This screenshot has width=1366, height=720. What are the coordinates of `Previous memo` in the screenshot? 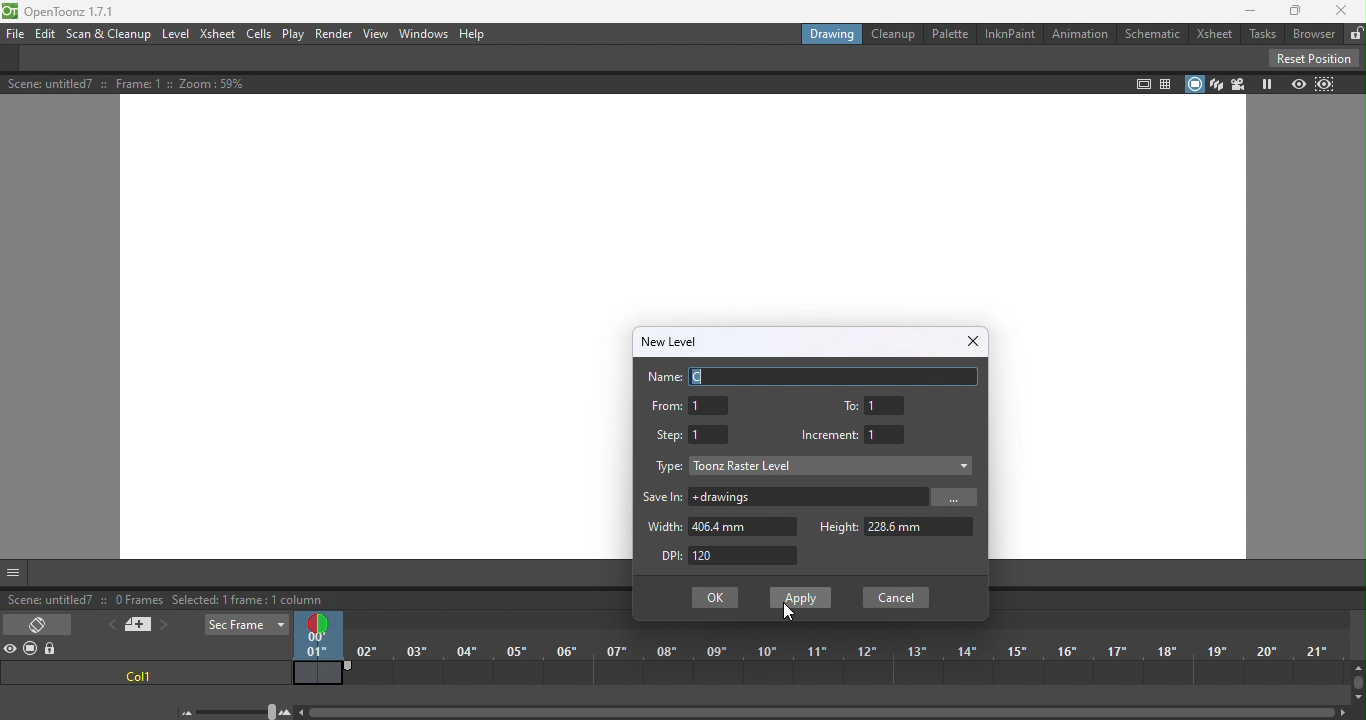 It's located at (109, 625).